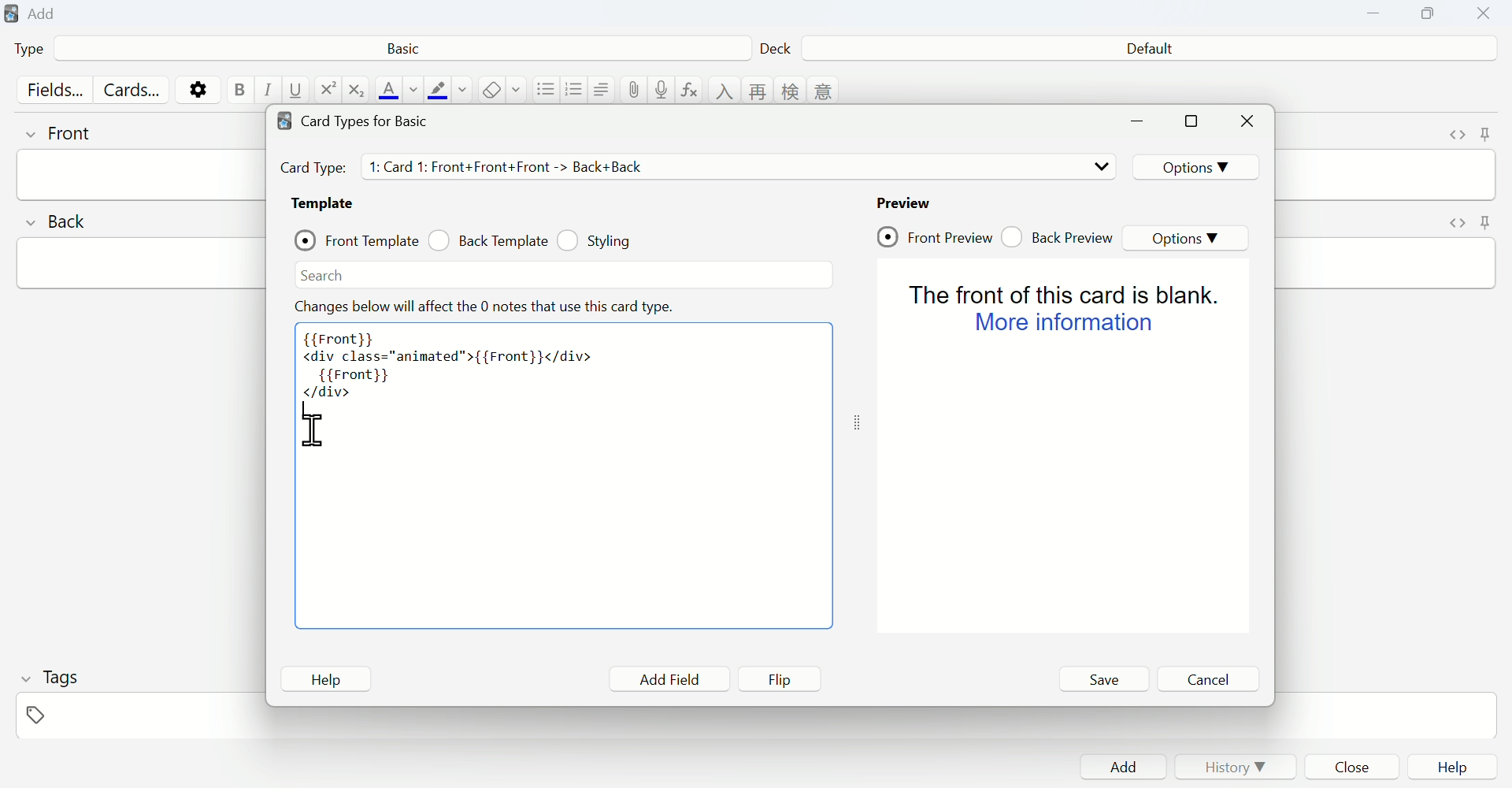 This screenshot has height=788, width=1512. What do you see at coordinates (633, 90) in the screenshot?
I see `attach pictures/audio/video` at bounding box center [633, 90].